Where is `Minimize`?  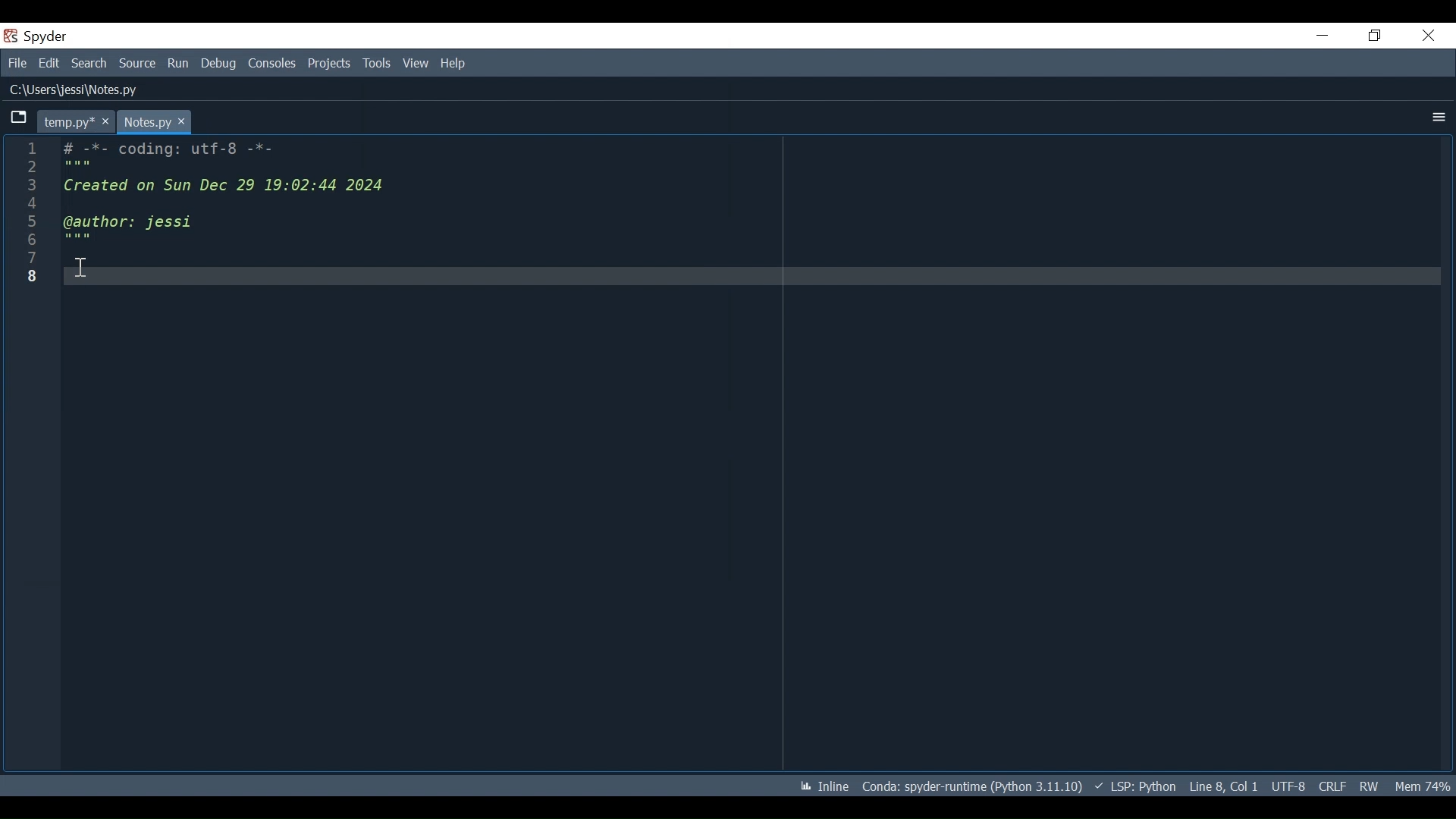
Minimize is located at coordinates (1321, 35).